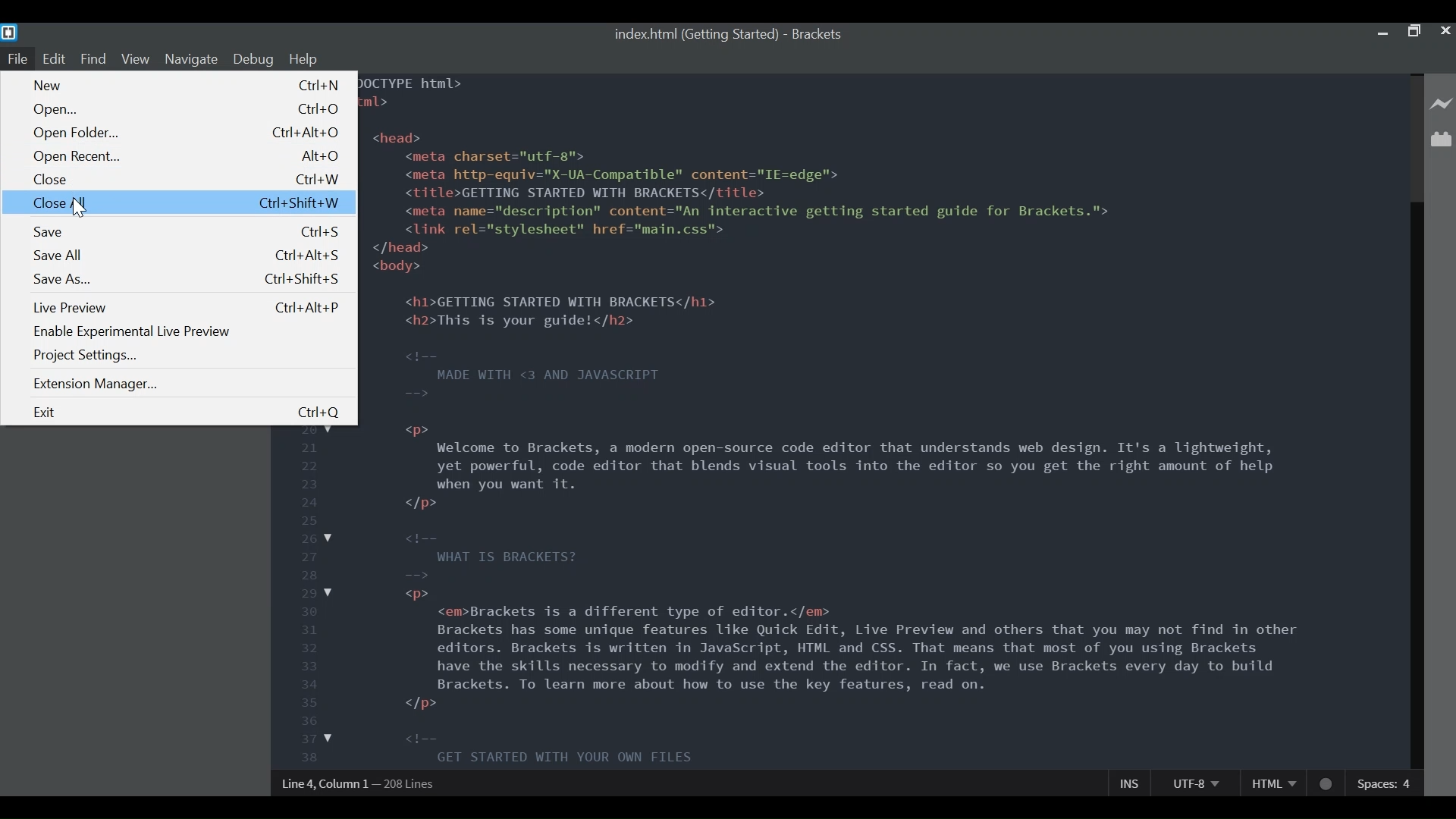  Describe the element at coordinates (94, 58) in the screenshot. I see `Find` at that location.